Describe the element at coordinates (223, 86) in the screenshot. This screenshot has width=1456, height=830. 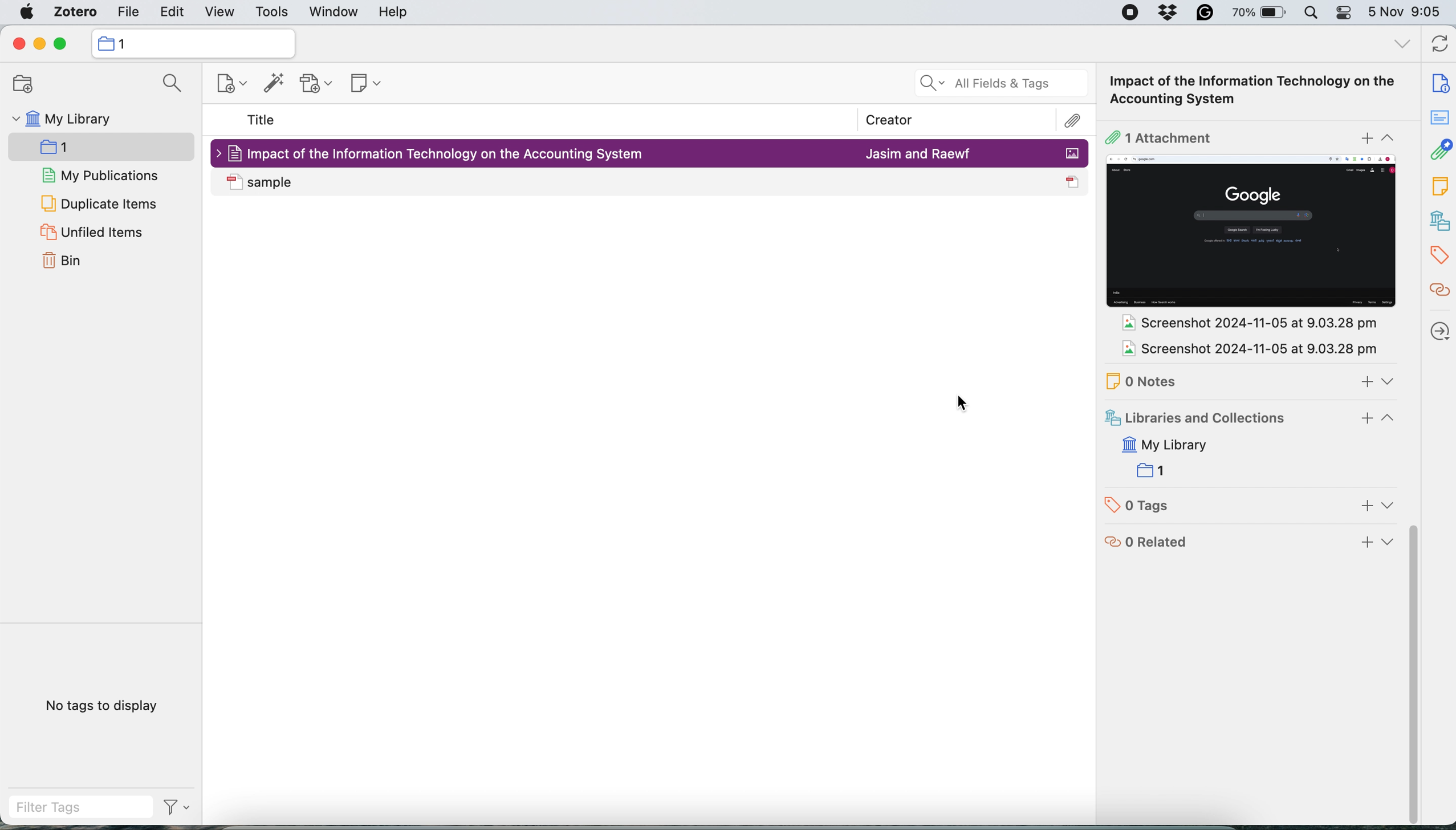
I see `new collection` at that location.